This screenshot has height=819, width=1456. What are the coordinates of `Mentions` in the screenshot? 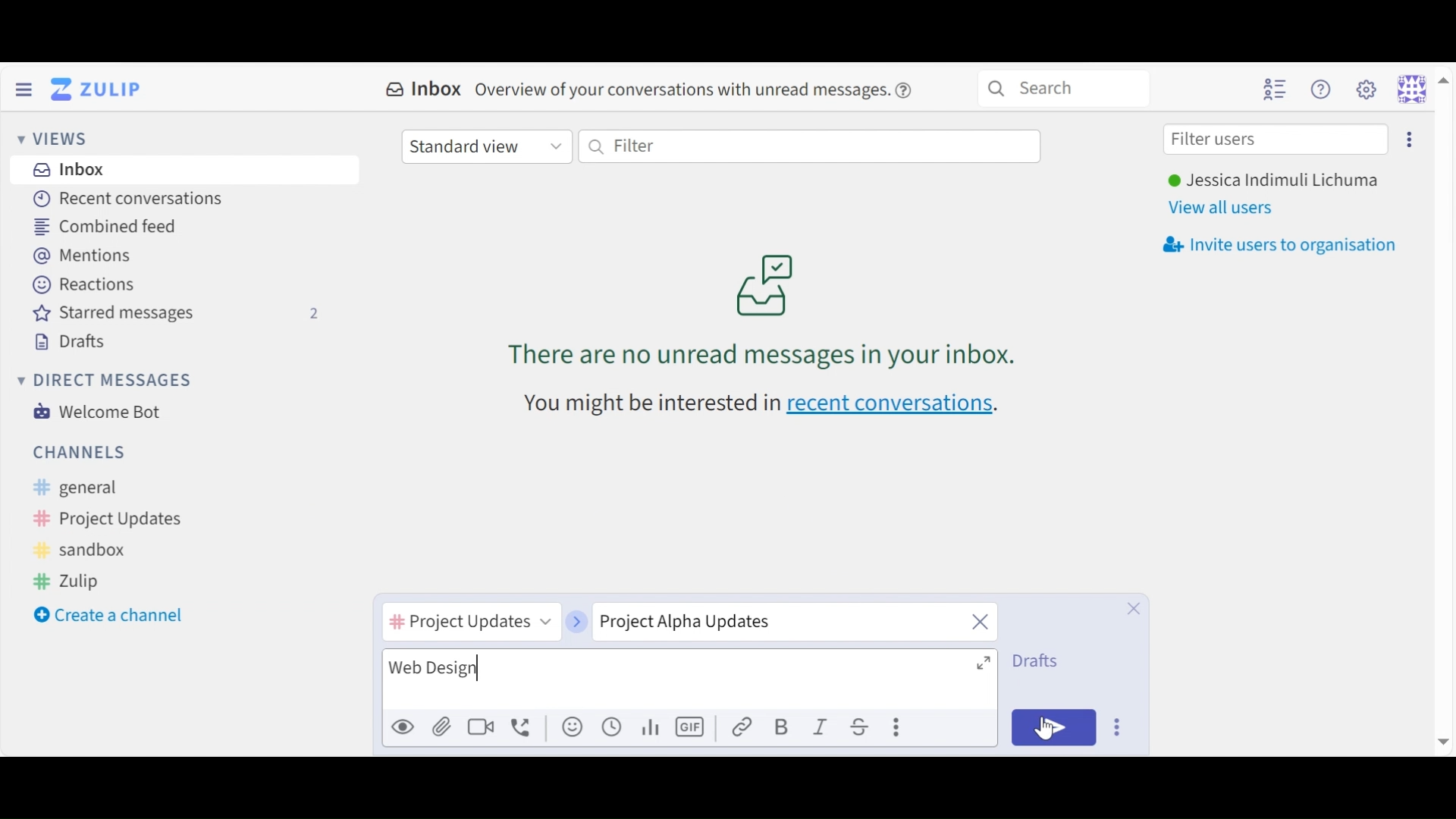 It's located at (83, 255).